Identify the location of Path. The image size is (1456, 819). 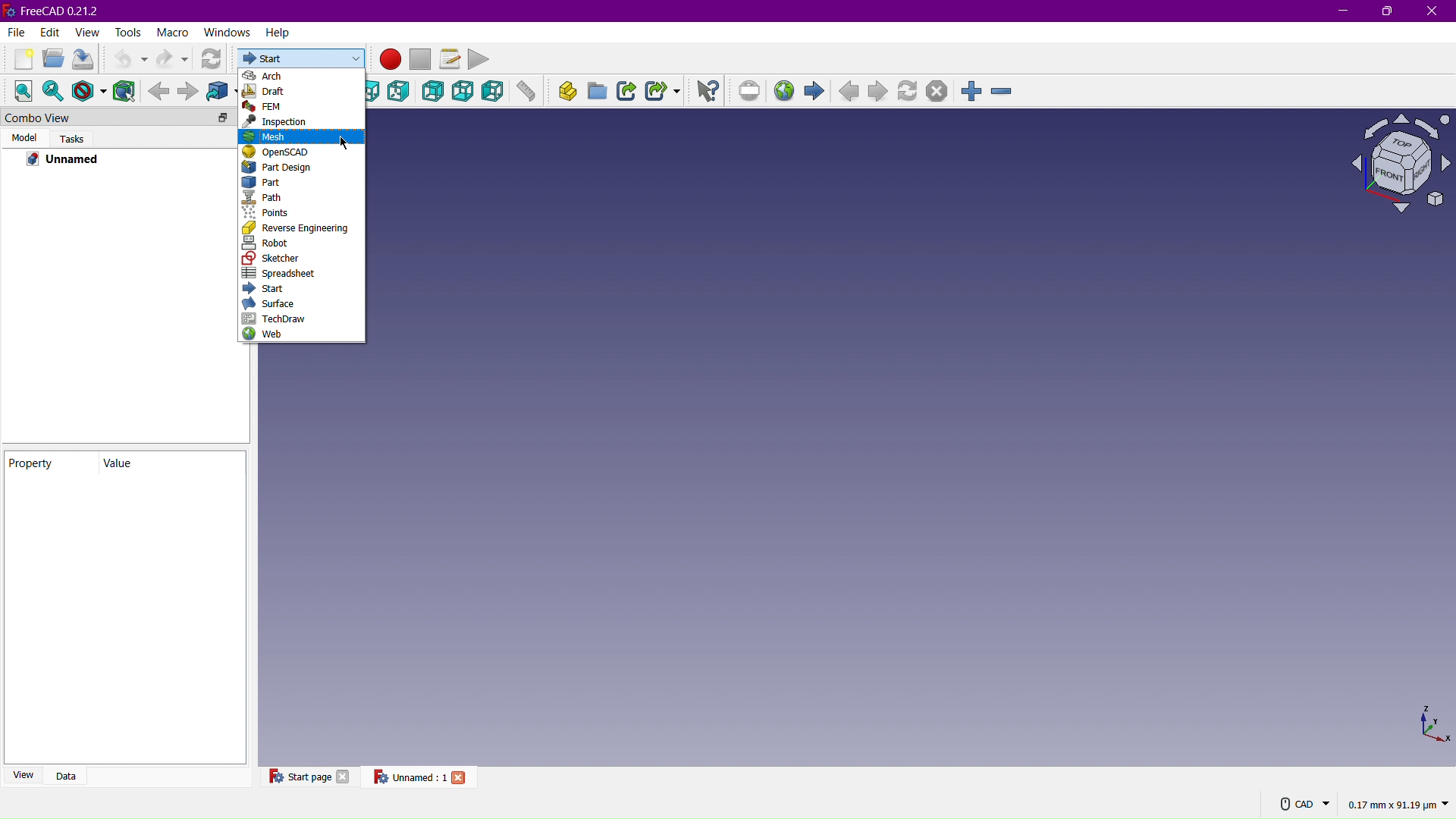
(303, 196).